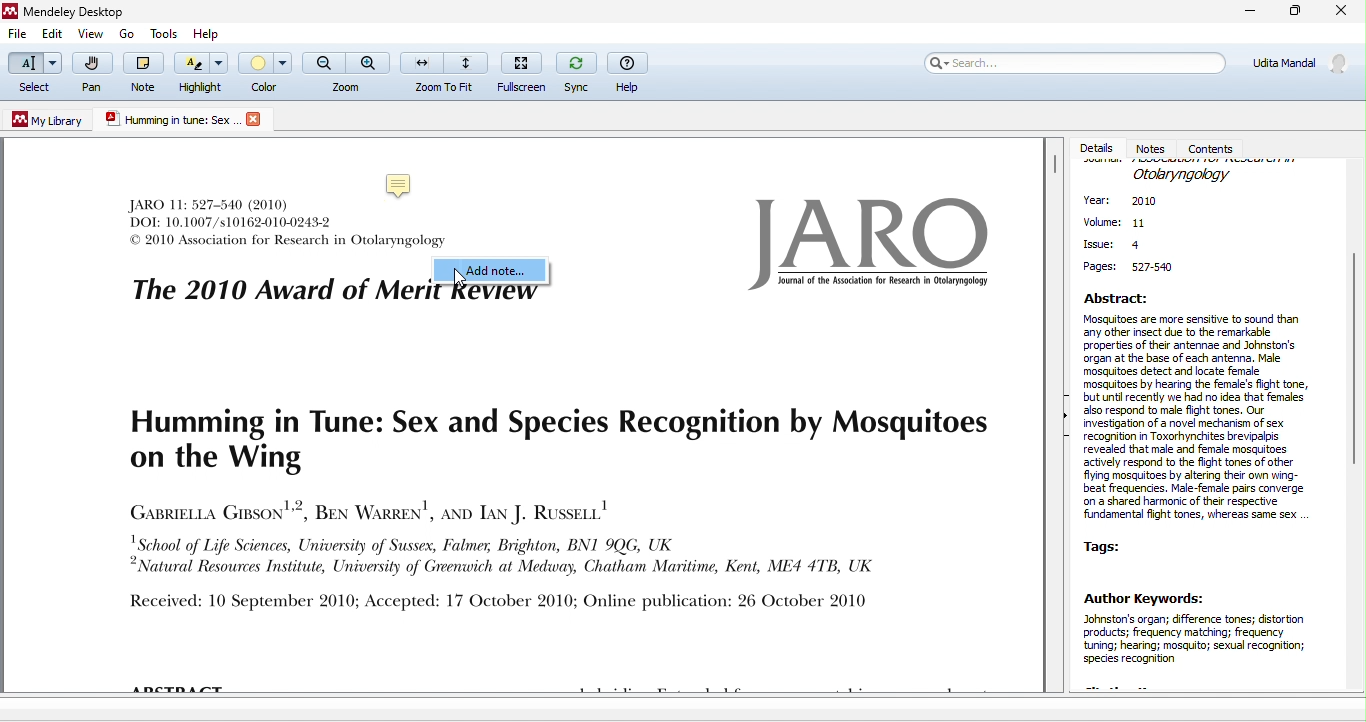 The width and height of the screenshot is (1366, 722). I want to click on zoom to fit, so click(445, 71).